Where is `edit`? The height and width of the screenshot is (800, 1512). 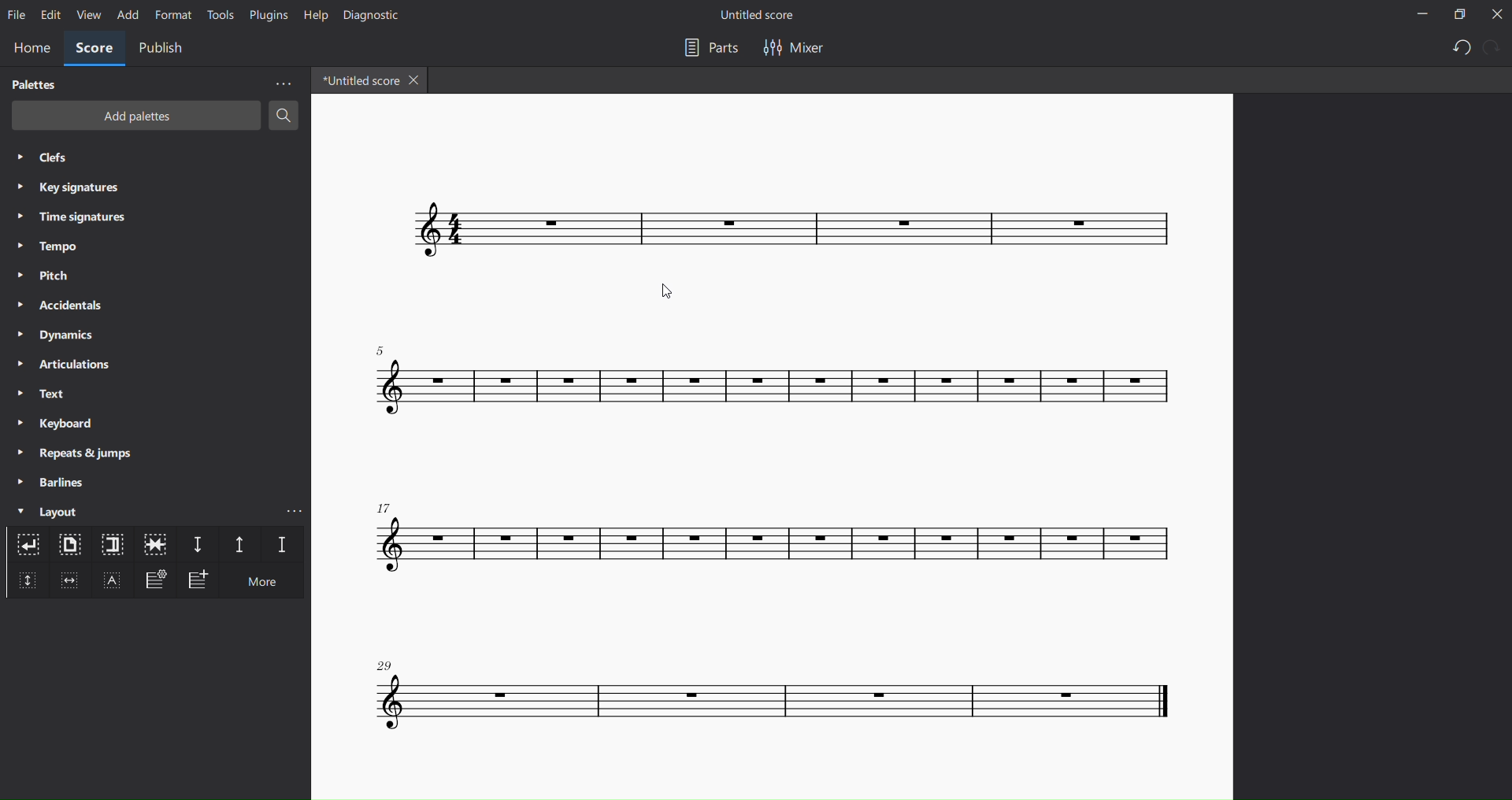 edit is located at coordinates (50, 15).